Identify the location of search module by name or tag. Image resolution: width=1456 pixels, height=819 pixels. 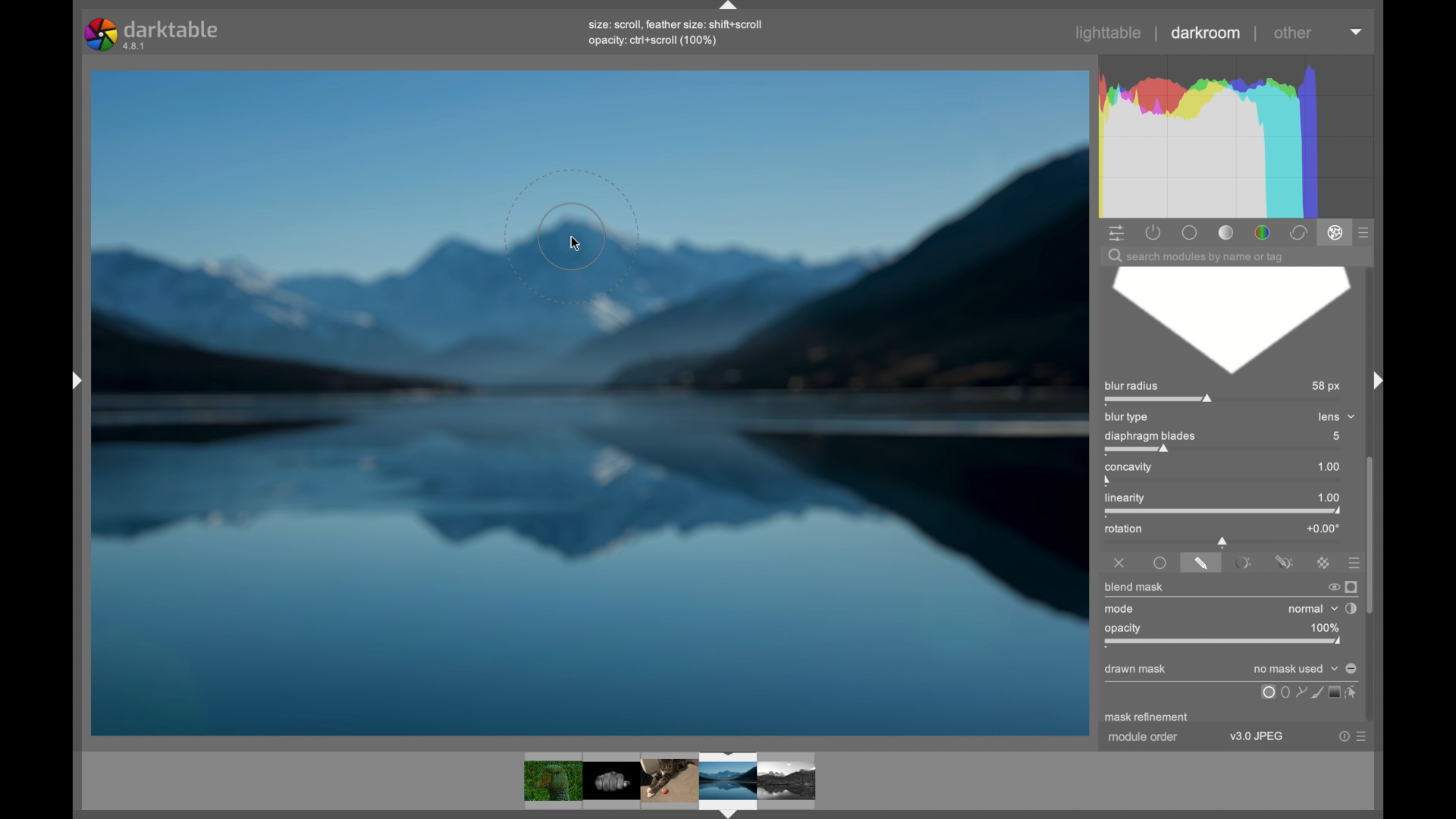
(1196, 256).